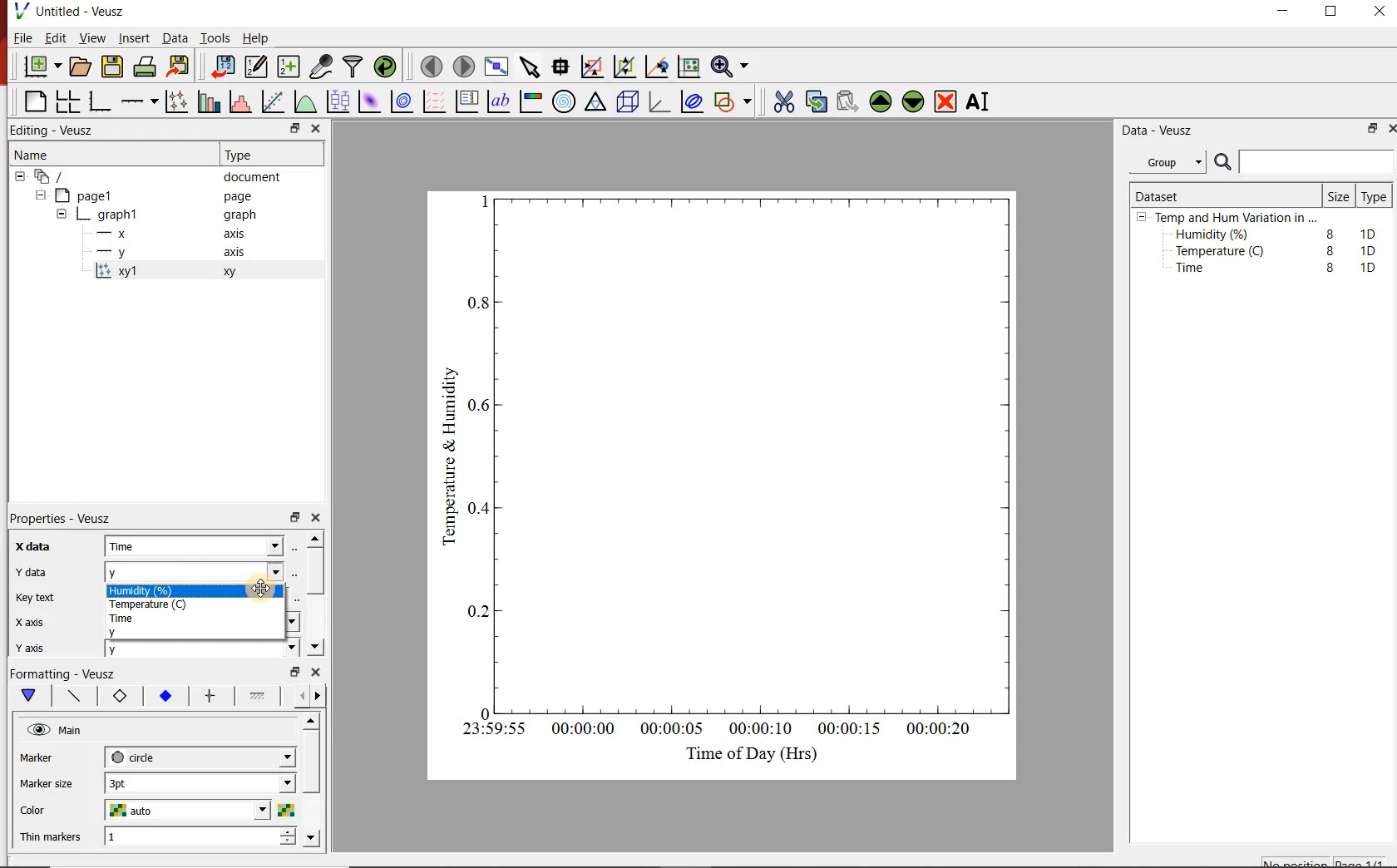  Describe the element at coordinates (497, 67) in the screenshot. I see `view plot full screen` at that location.